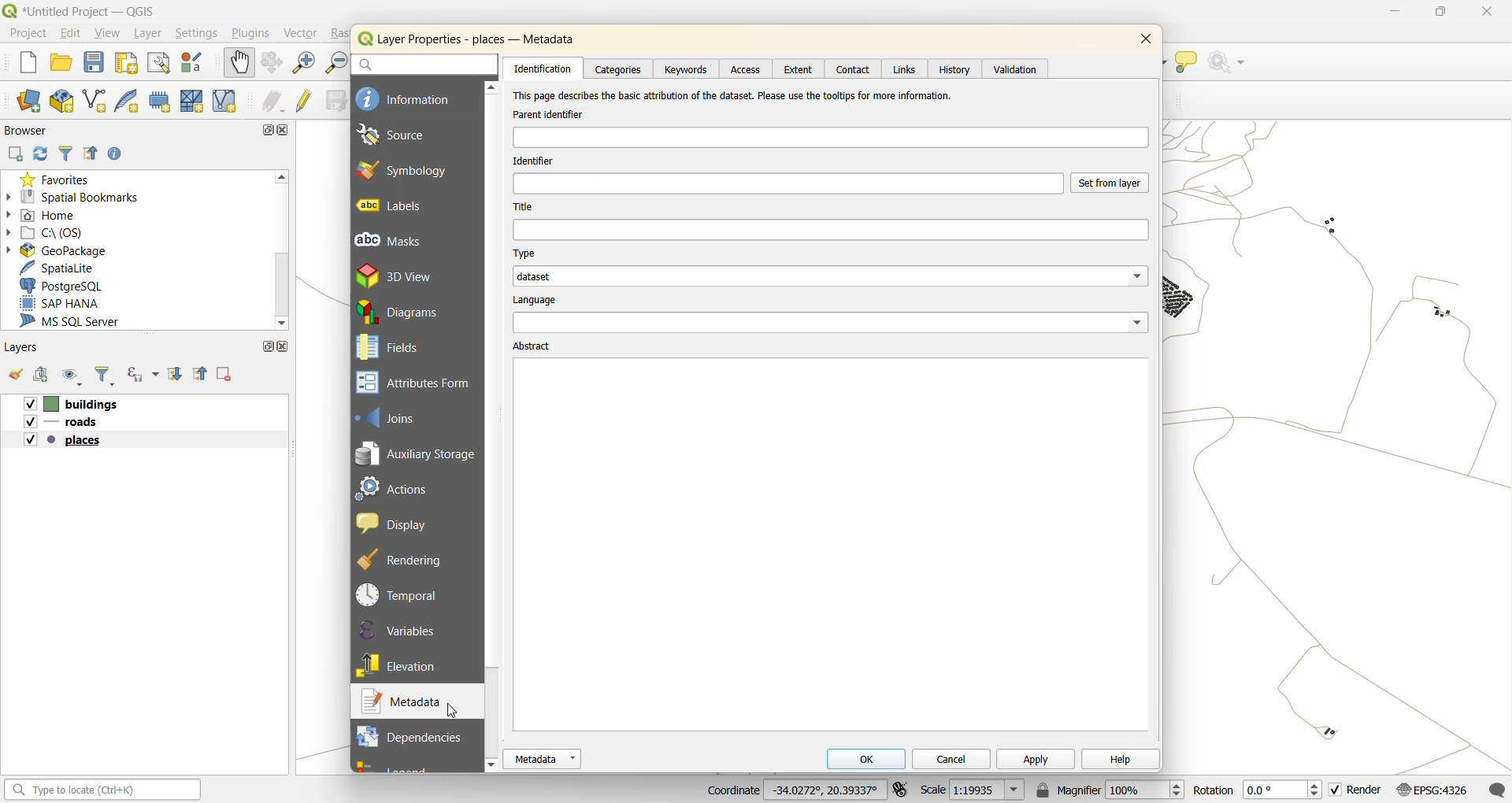  I want to click on identifier, so click(553, 113).